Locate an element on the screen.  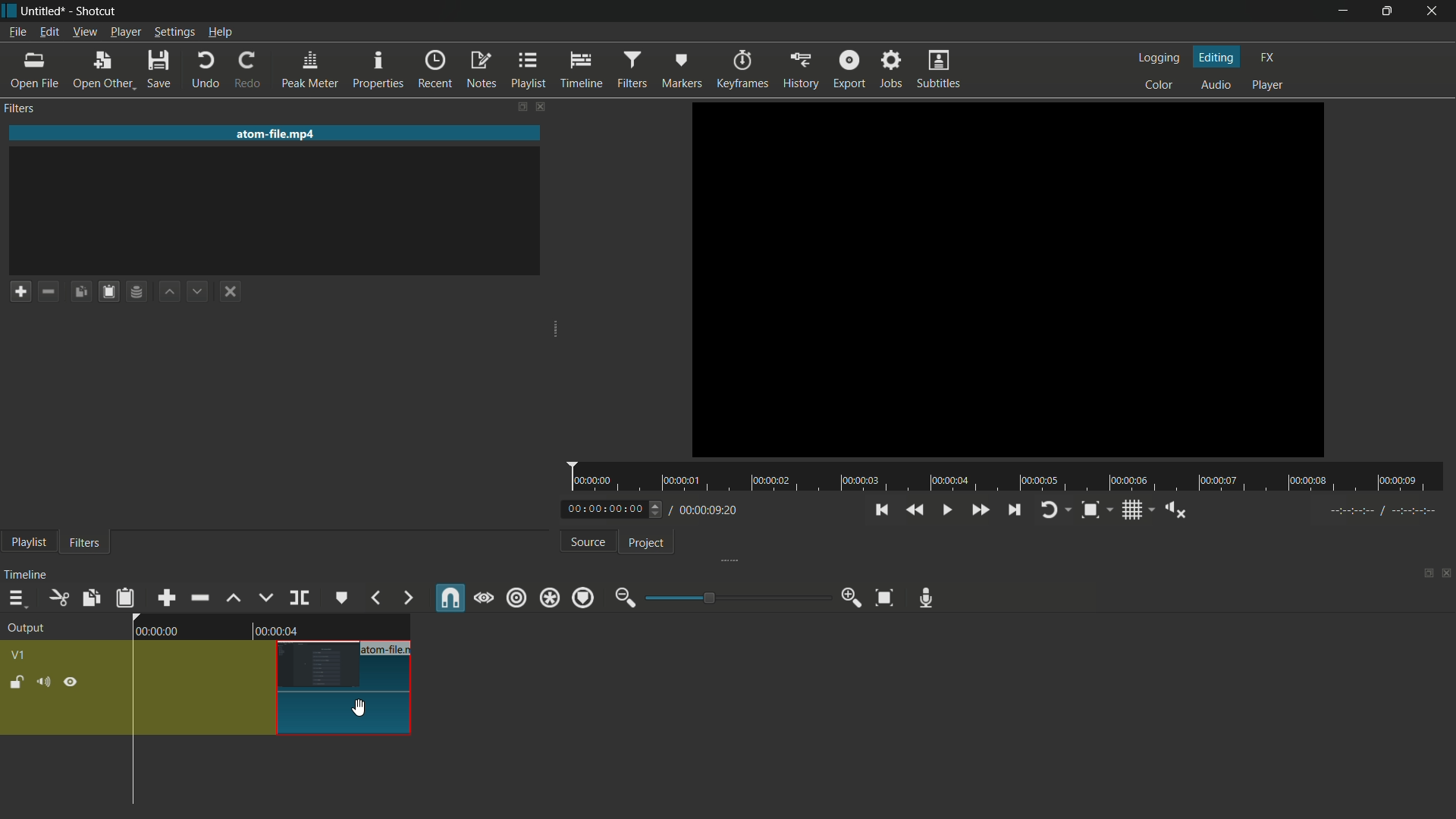
zoom in is located at coordinates (849, 598).